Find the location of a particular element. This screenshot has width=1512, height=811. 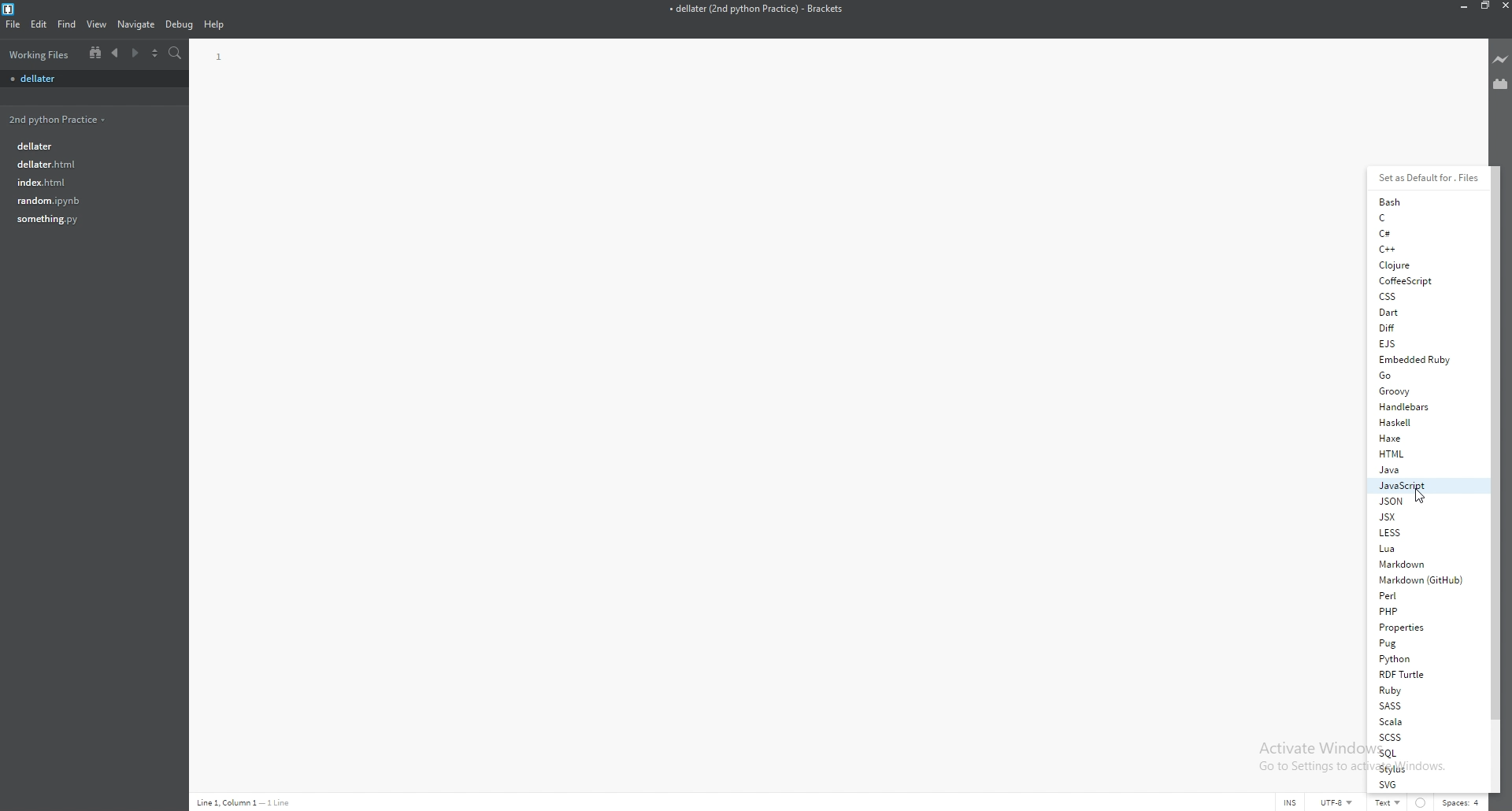

properties is located at coordinates (1423, 628).